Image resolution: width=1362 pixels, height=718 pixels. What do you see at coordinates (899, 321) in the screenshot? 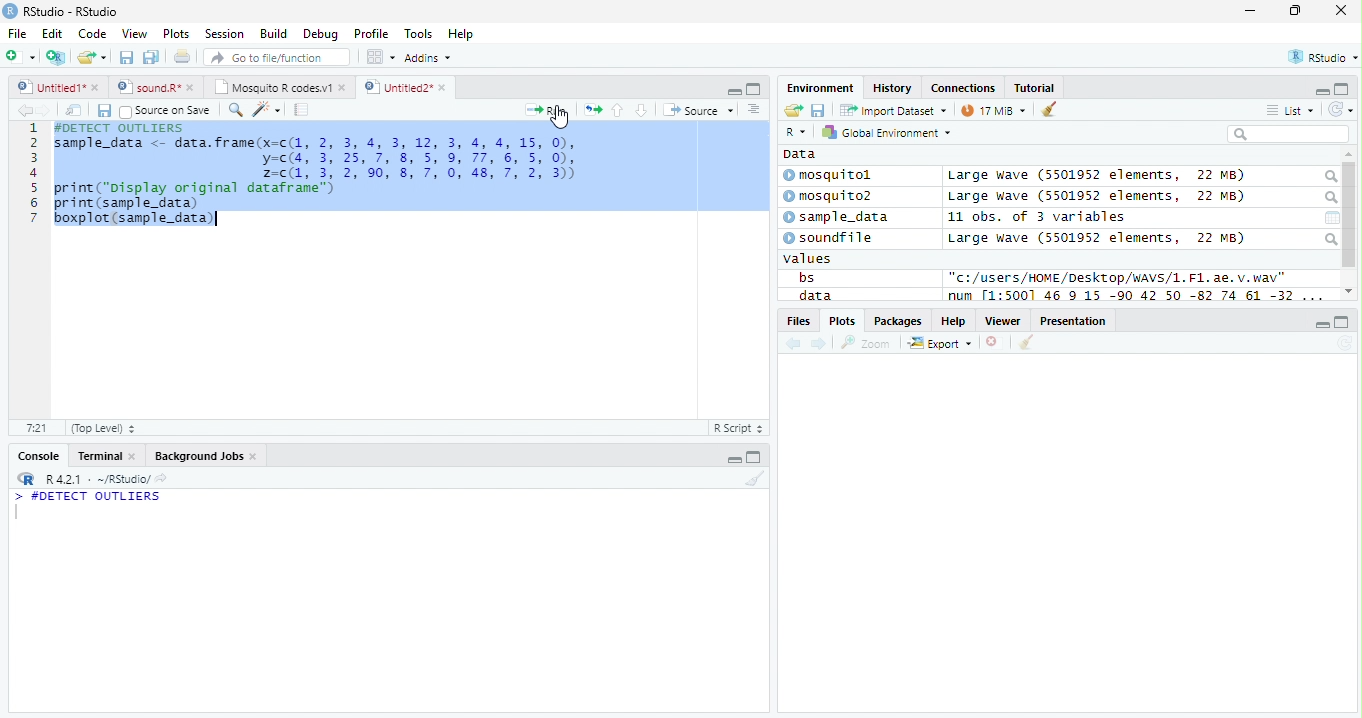
I see `Packages` at bounding box center [899, 321].